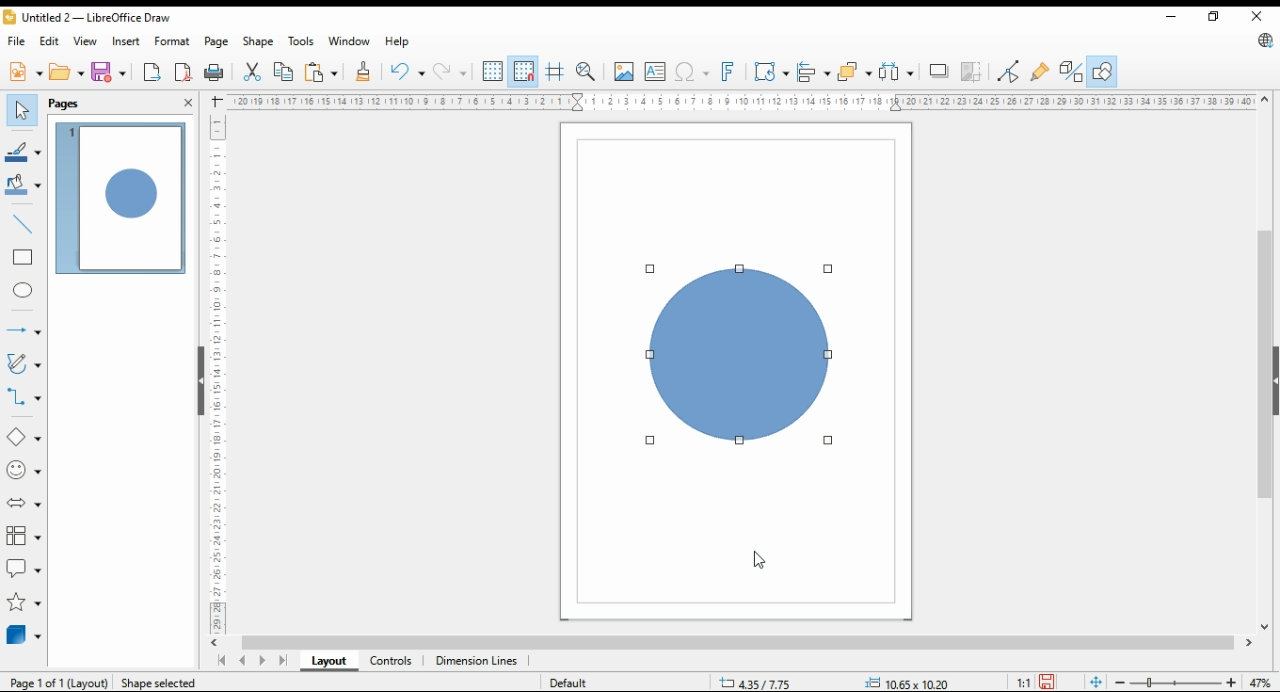 The width and height of the screenshot is (1280, 692). What do you see at coordinates (49, 41) in the screenshot?
I see `edit` at bounding box center [49, 41].